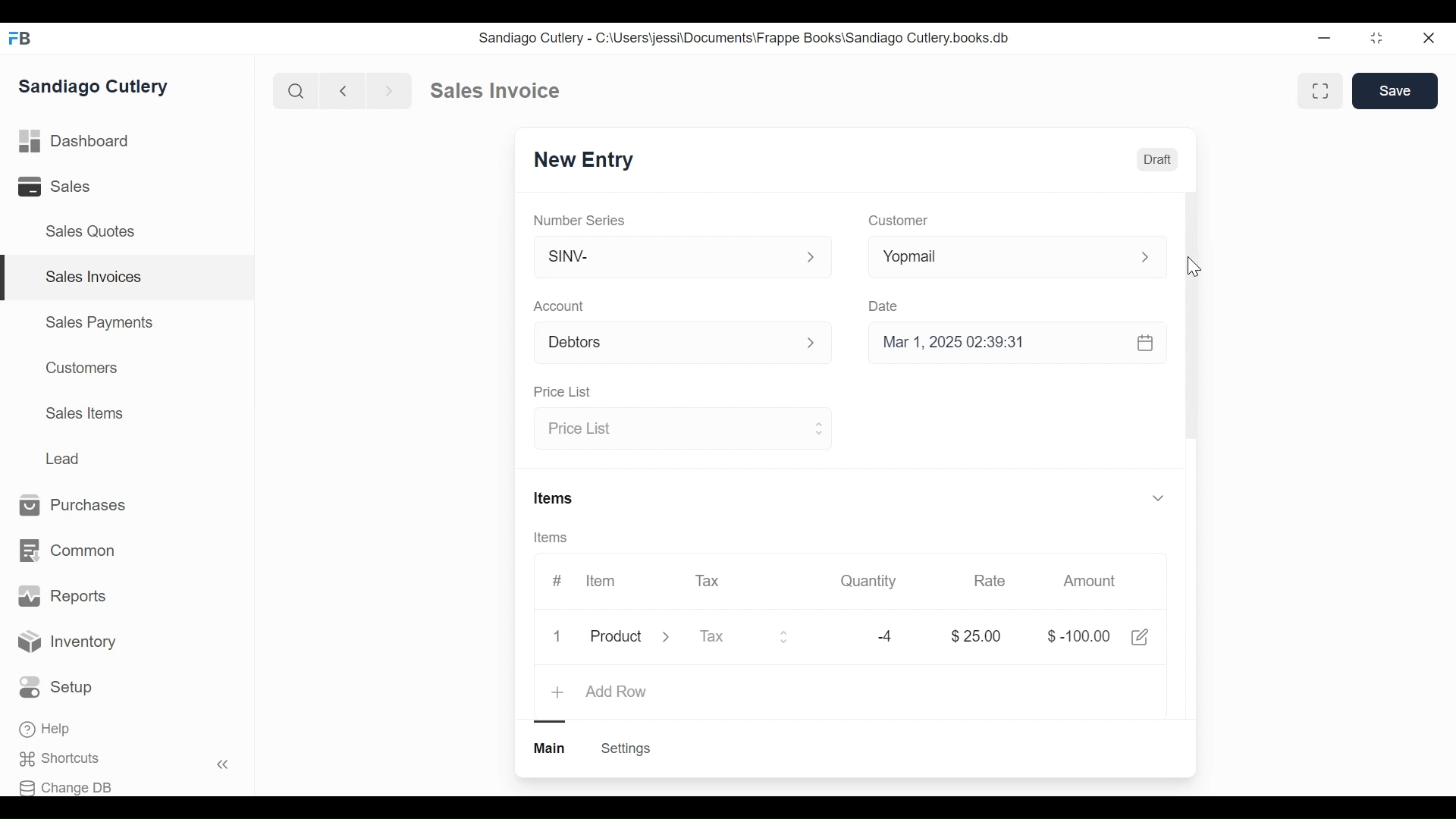 This screenshot has height=819, width=1456. Describe the element at coordinates (58, 758) in the screenshot. I see `Shortcuts` at that location.